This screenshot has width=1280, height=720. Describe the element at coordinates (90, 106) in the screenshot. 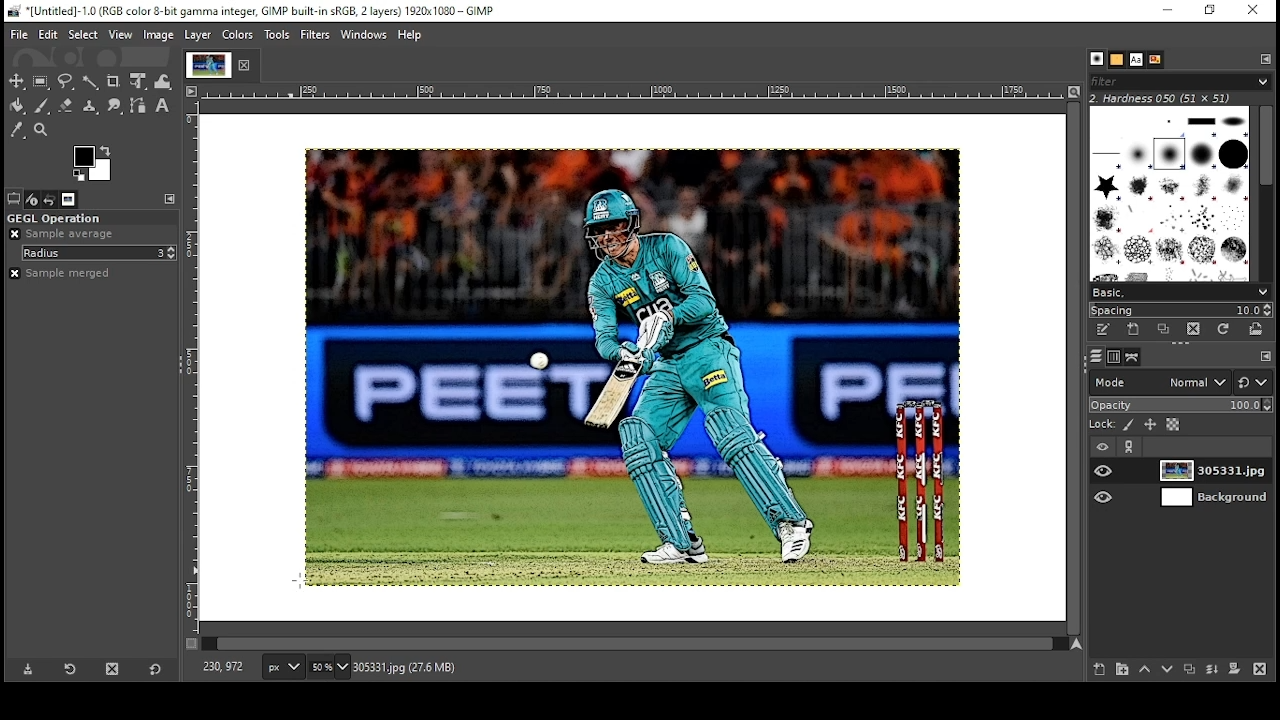

I see `clone formatting tool` at that location.